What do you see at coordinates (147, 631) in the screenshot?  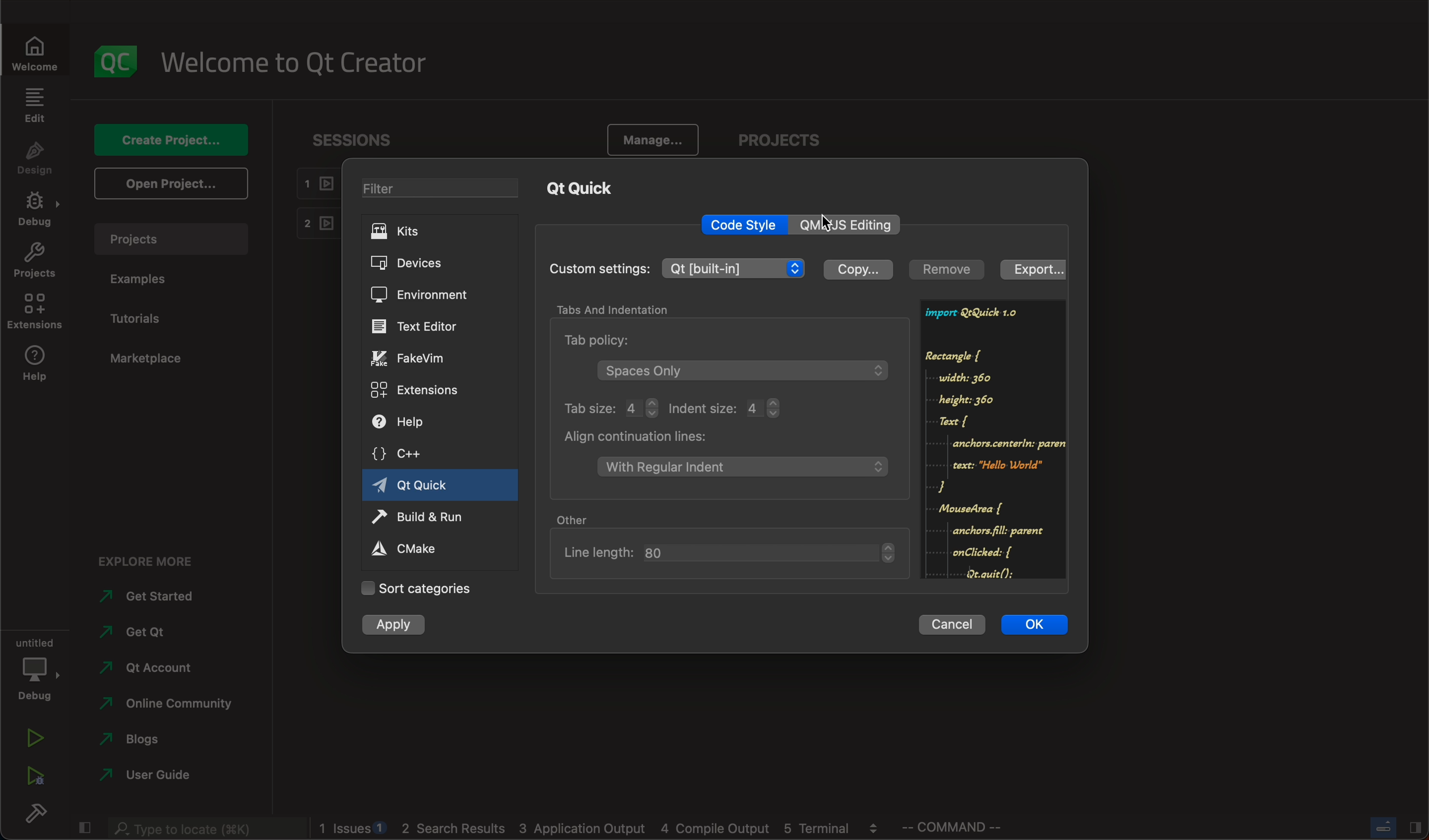 I see `get` at bounding box center [147, 631].